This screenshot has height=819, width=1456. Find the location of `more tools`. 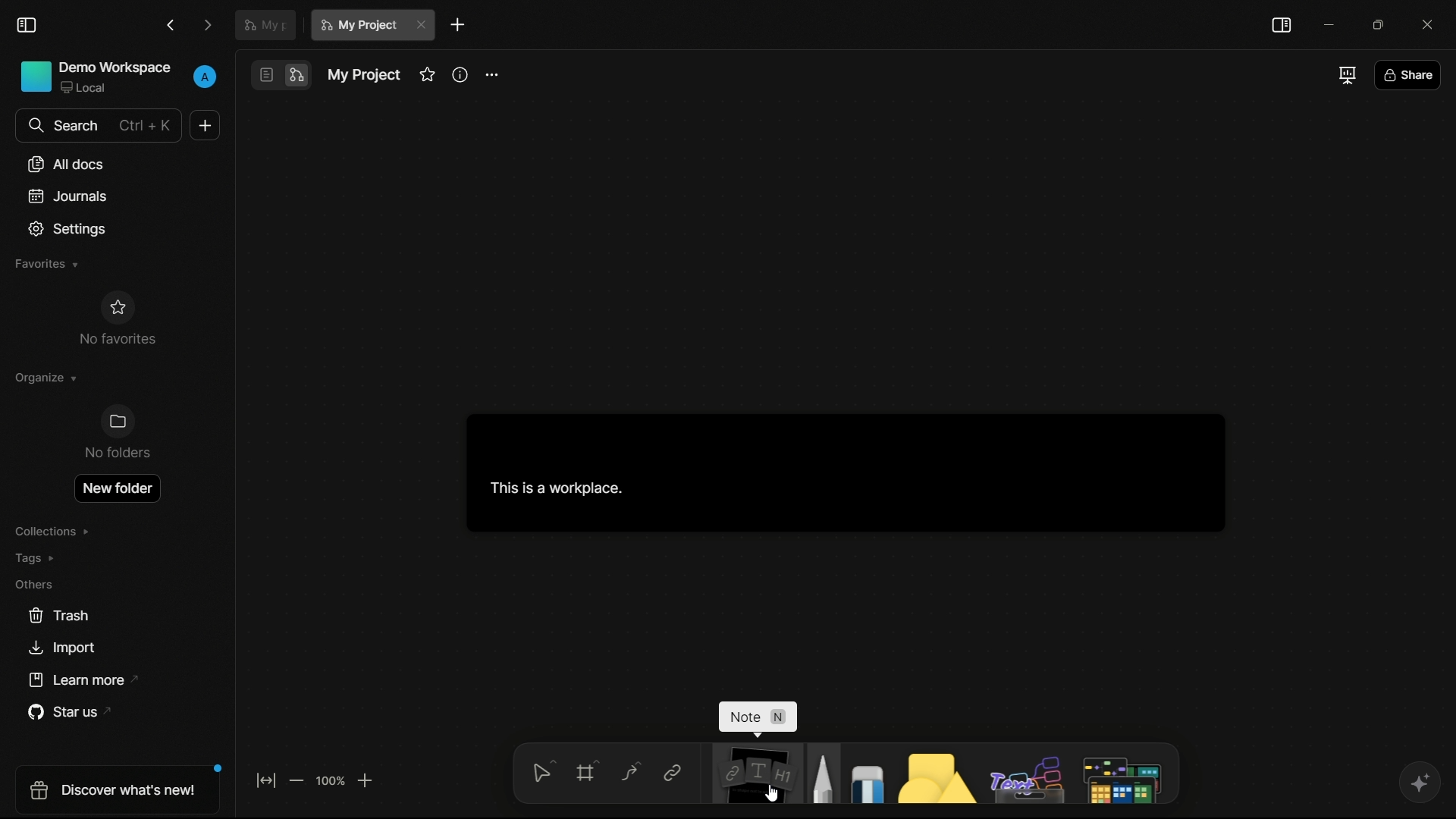

more tools is located at coordinates (1122, 774).